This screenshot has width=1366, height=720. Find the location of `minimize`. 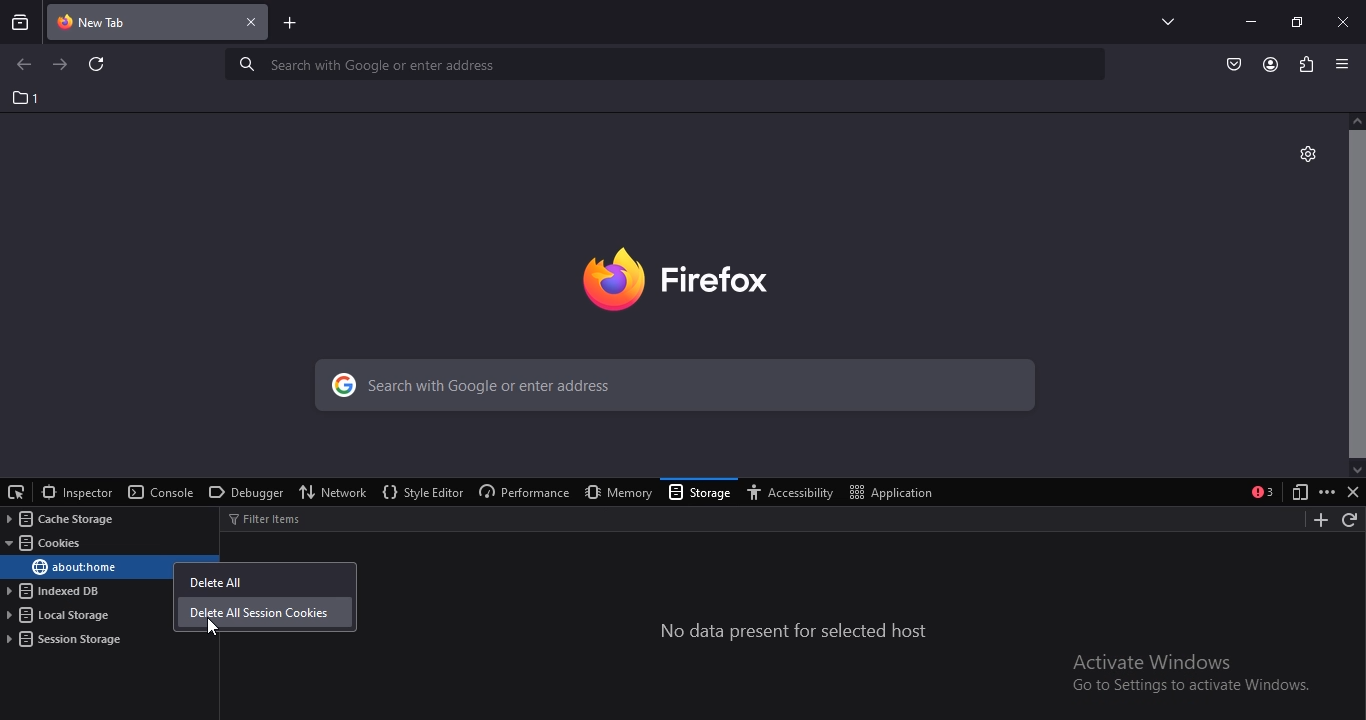

minimize is located at coordinates (1250, 21).